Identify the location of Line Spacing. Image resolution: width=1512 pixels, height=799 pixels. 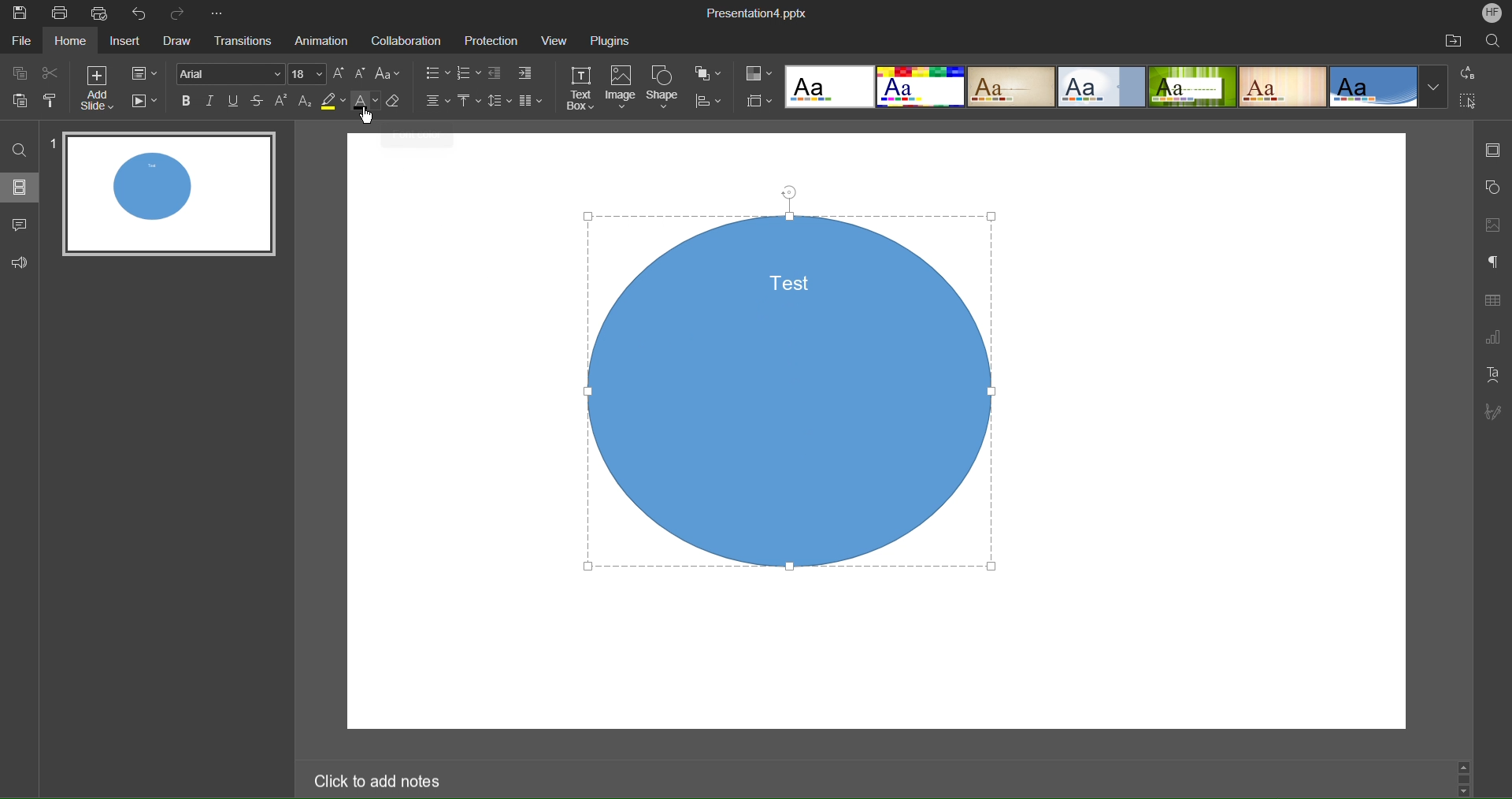
(501, 102).